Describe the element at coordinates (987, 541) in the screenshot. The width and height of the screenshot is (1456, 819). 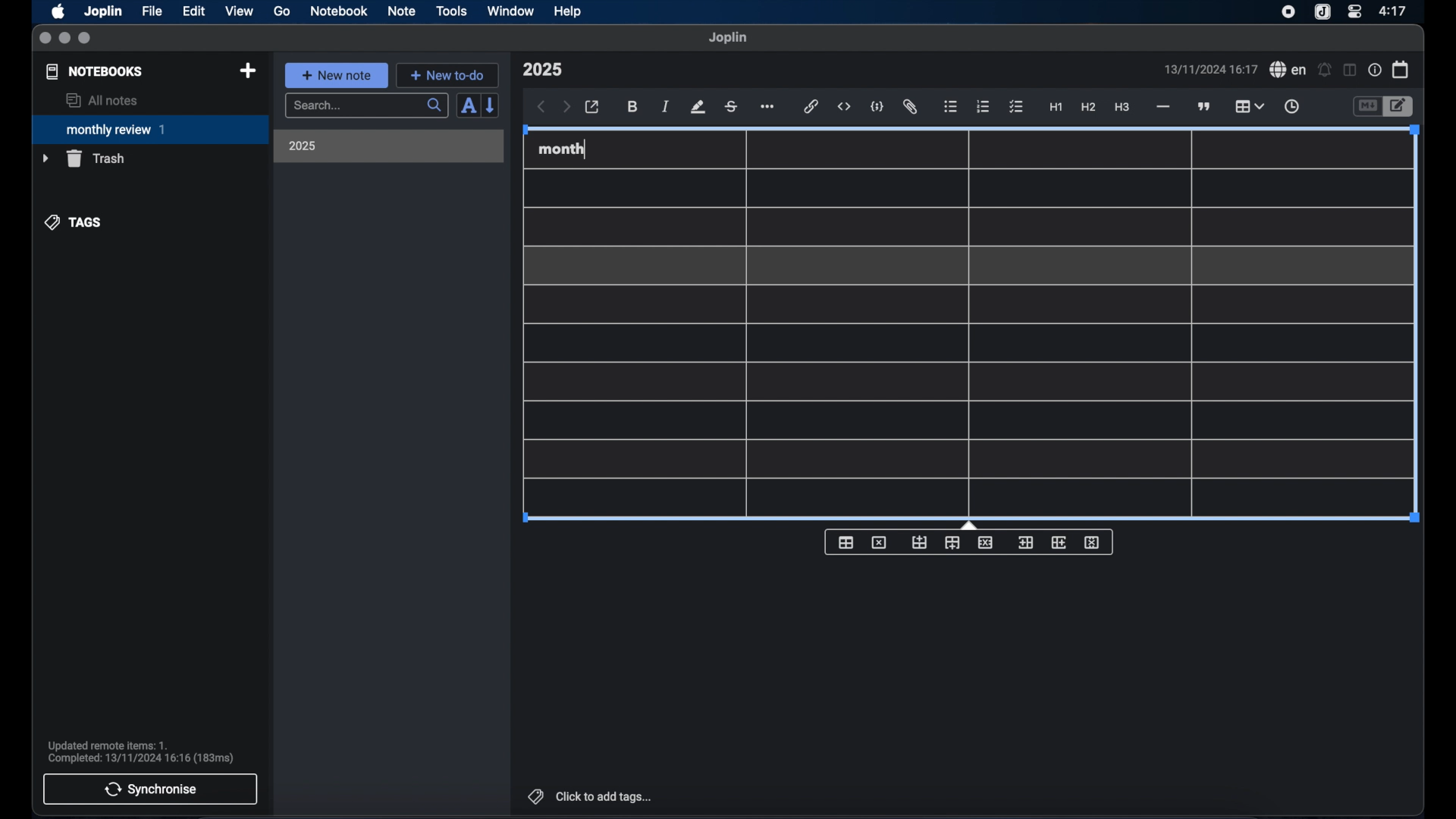
I see `delete row` at that location.